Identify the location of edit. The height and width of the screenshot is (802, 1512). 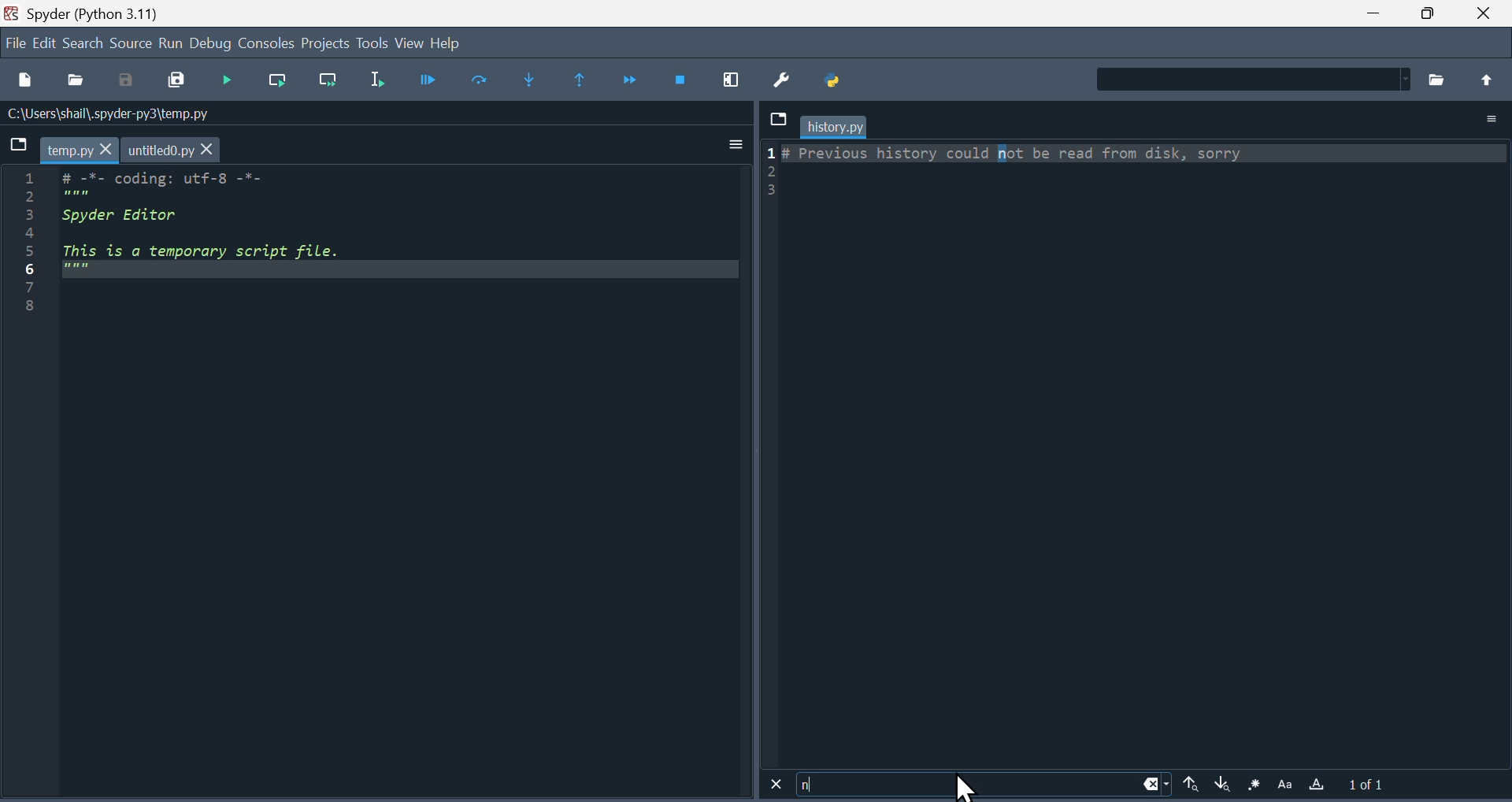
(44, 43).